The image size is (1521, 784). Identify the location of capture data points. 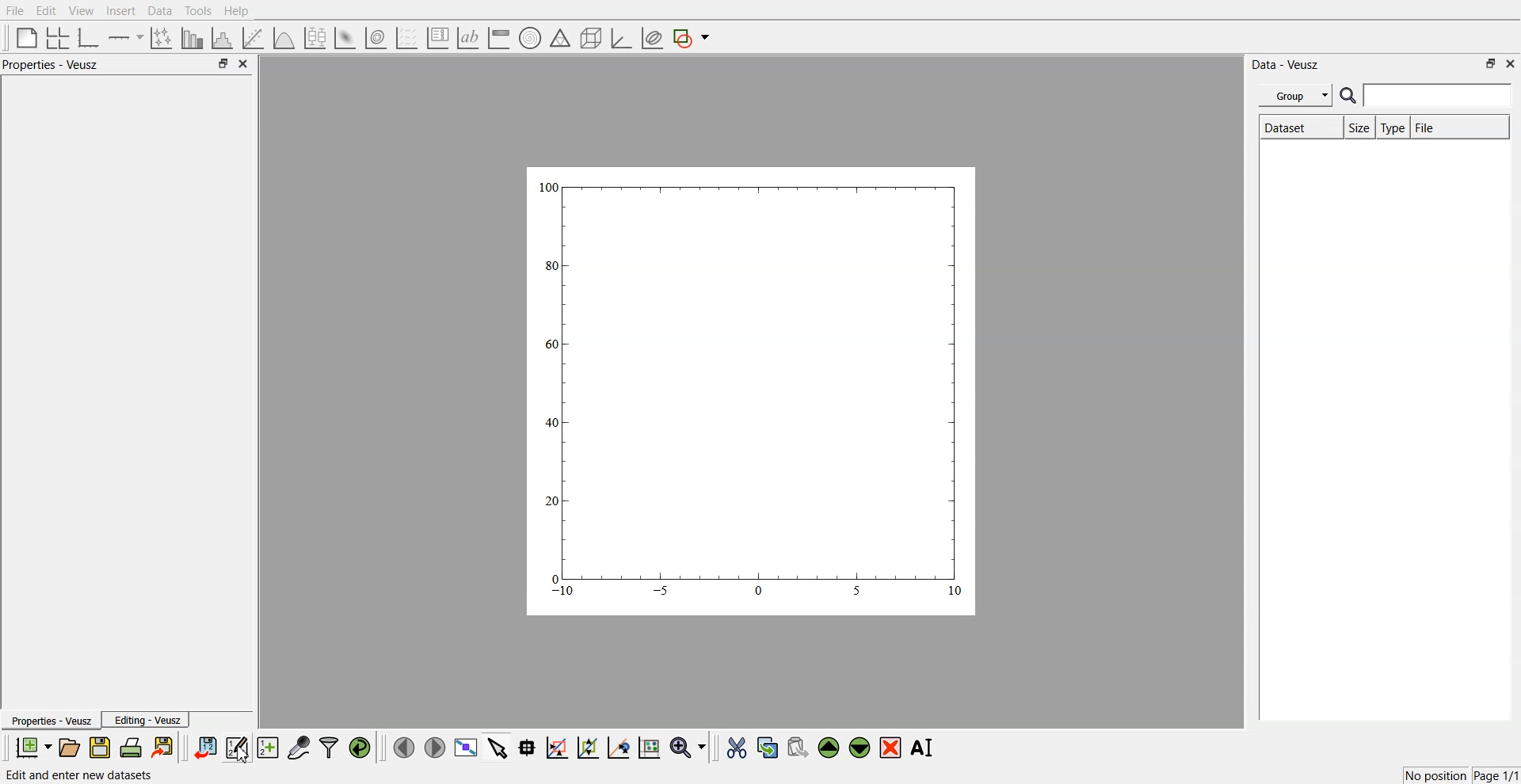
(299, 748).